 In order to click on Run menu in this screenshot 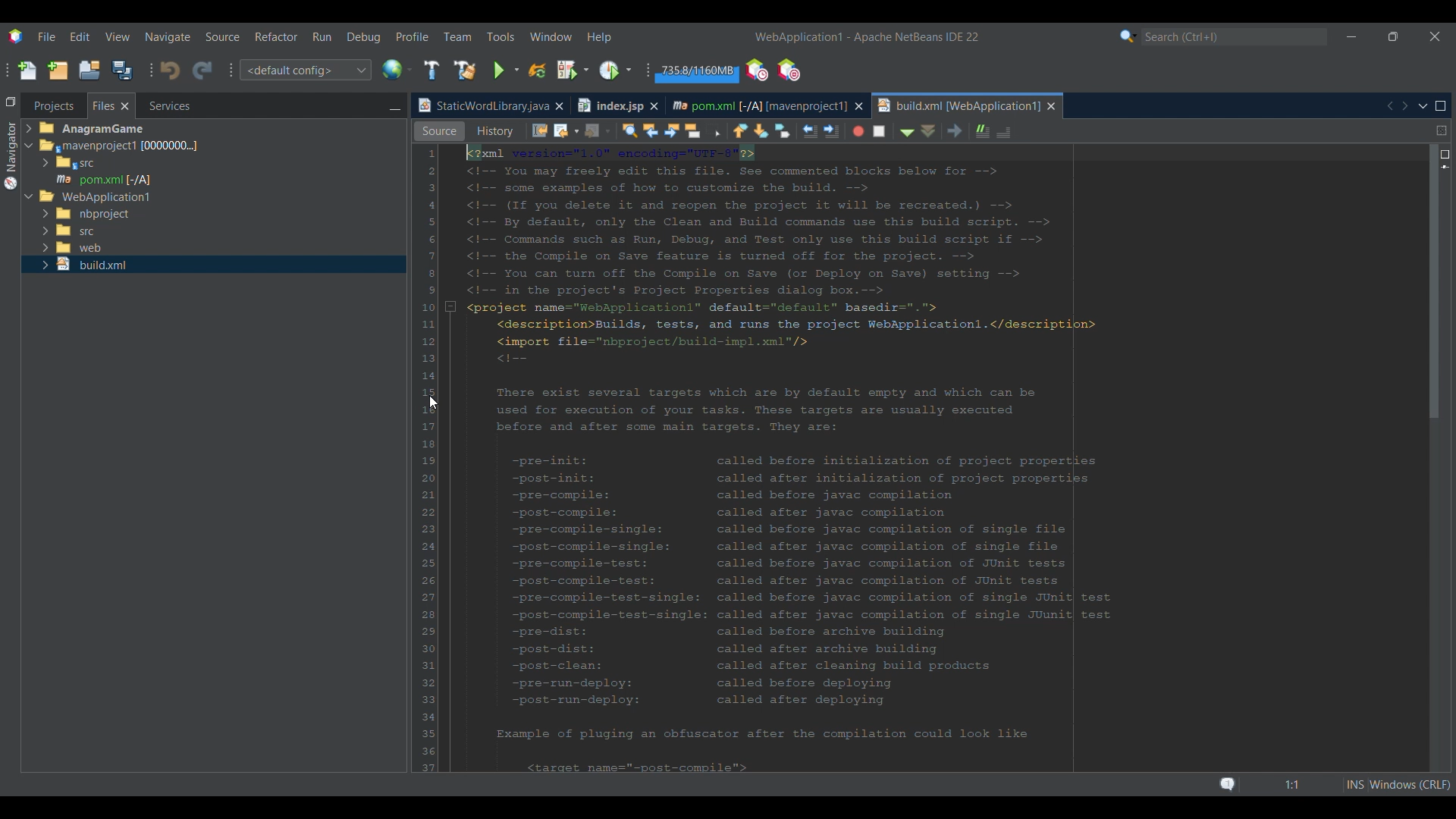, I will do `click(322, 36)`.